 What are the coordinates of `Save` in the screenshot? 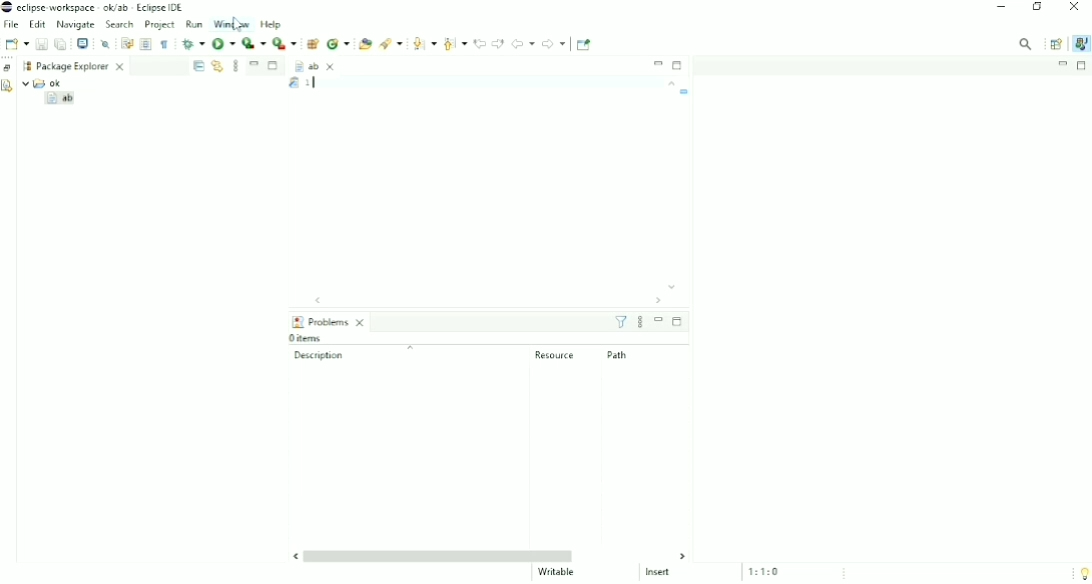 It's located at (41, 44).